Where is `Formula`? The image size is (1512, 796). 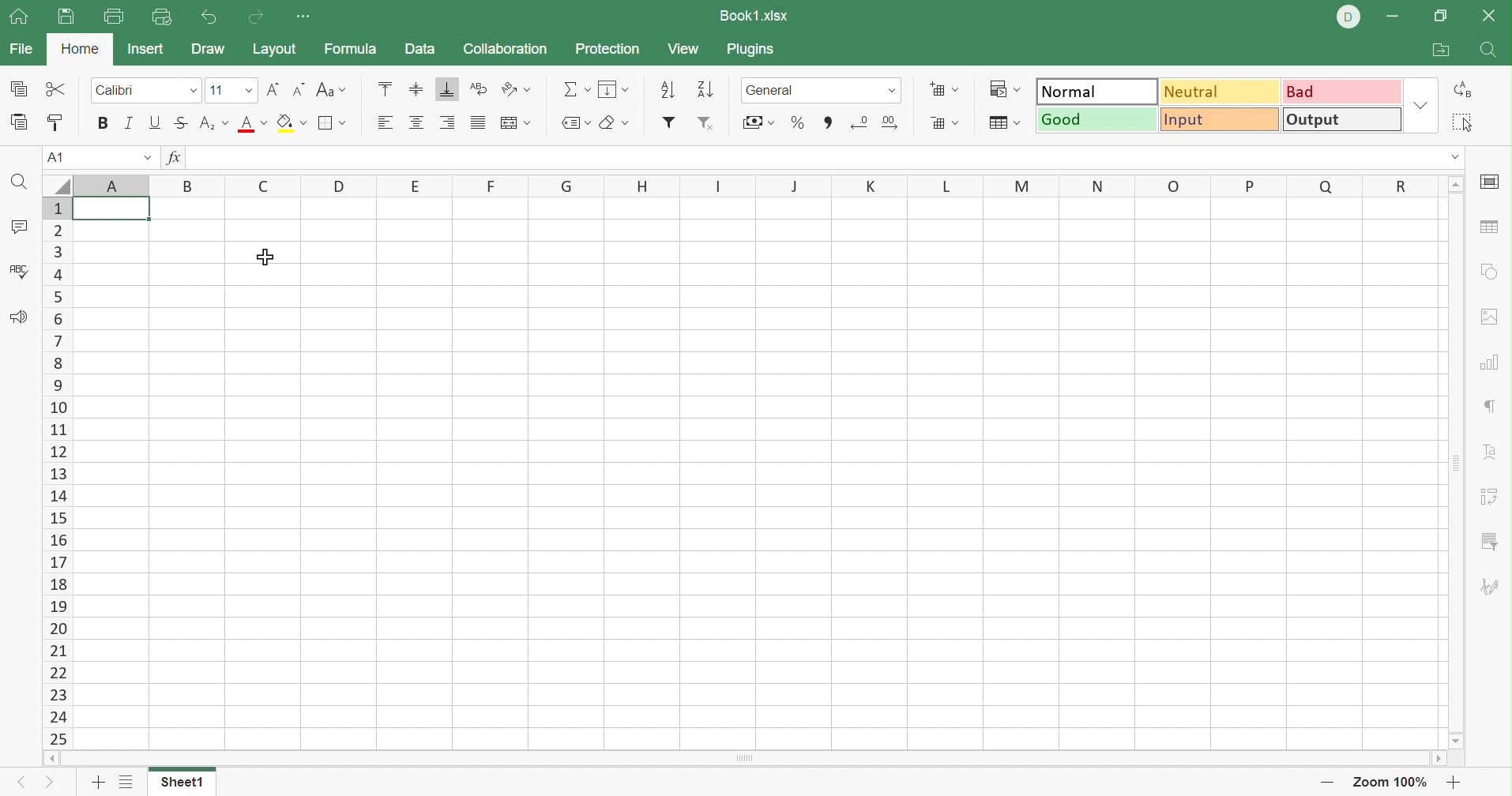 Formula is located at coordinates (350, 50).